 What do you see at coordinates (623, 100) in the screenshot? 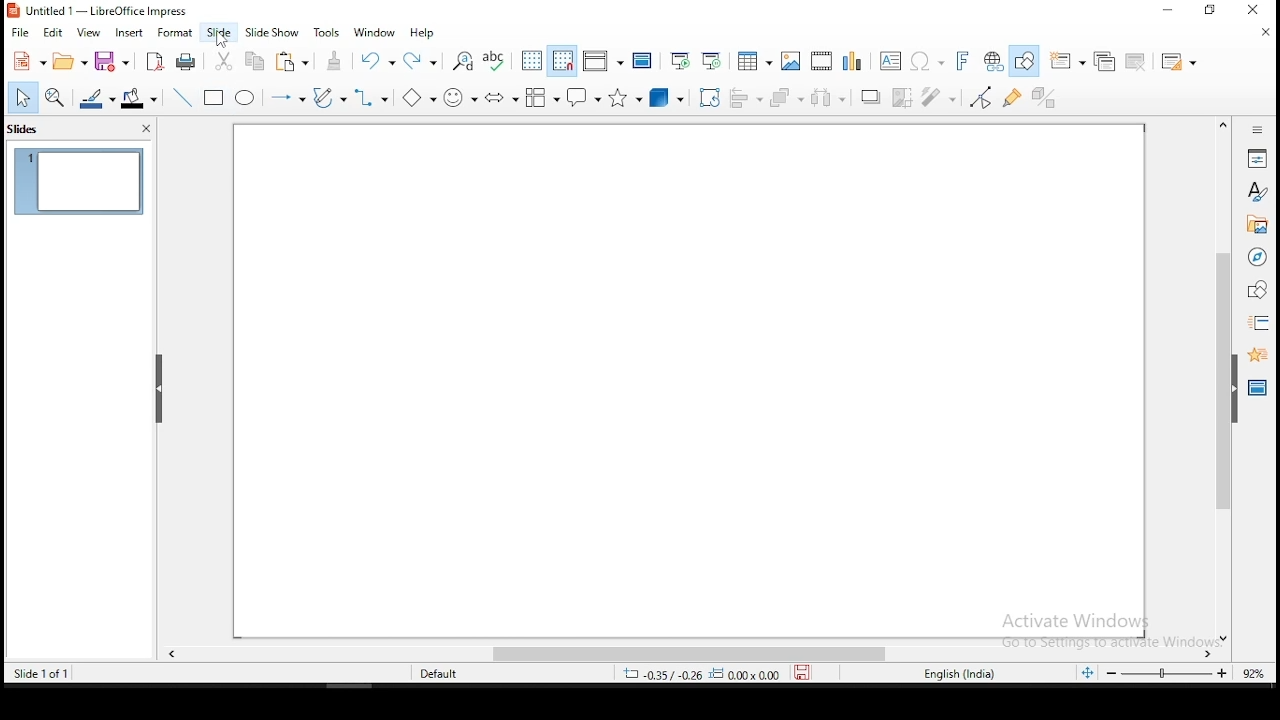
I see `stars and banners` at bounding box center [623, 100].